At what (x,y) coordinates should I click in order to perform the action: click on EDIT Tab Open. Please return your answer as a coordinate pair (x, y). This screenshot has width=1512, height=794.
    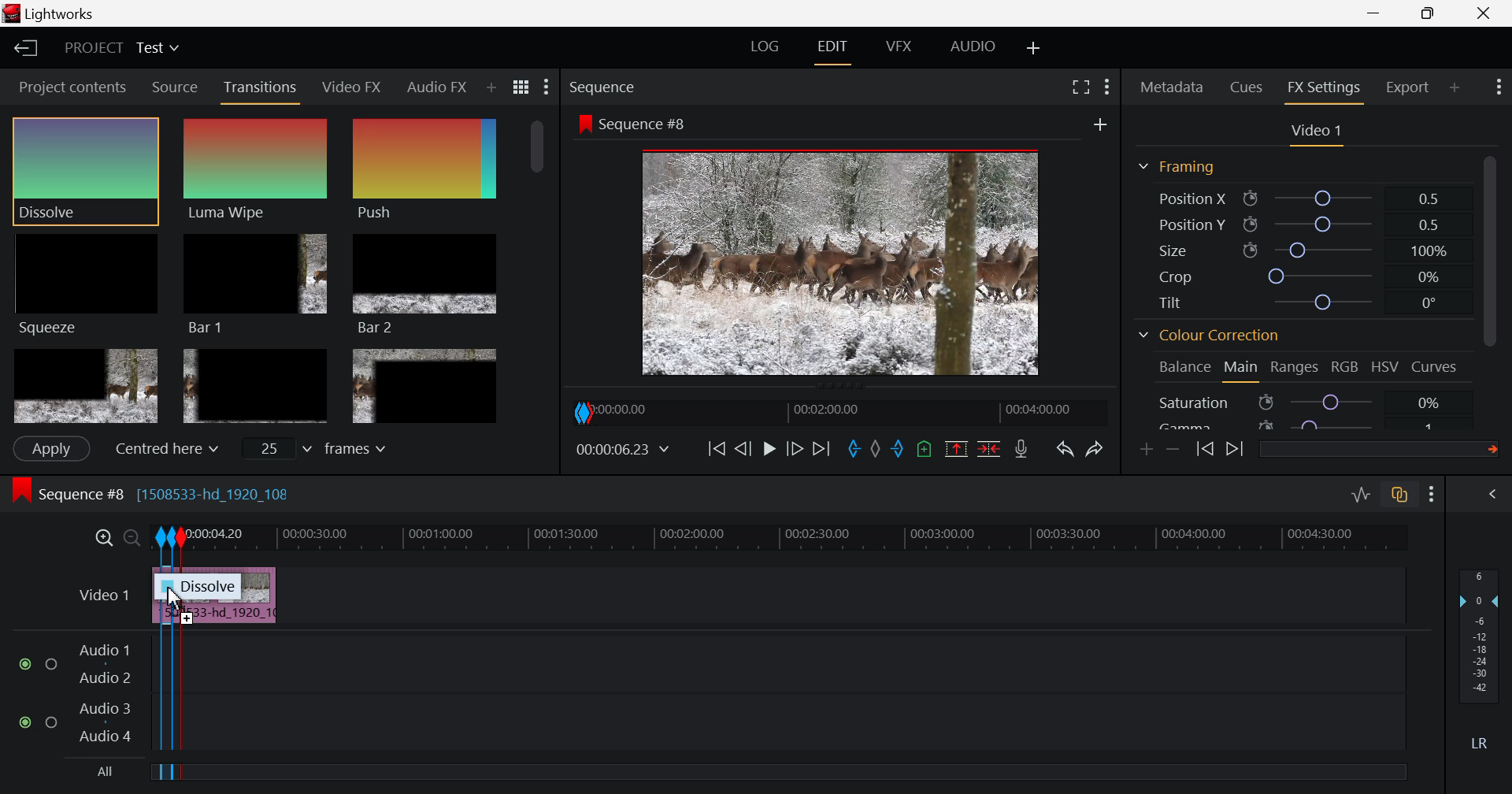
    Looking at the image, I should click on (836, 46).